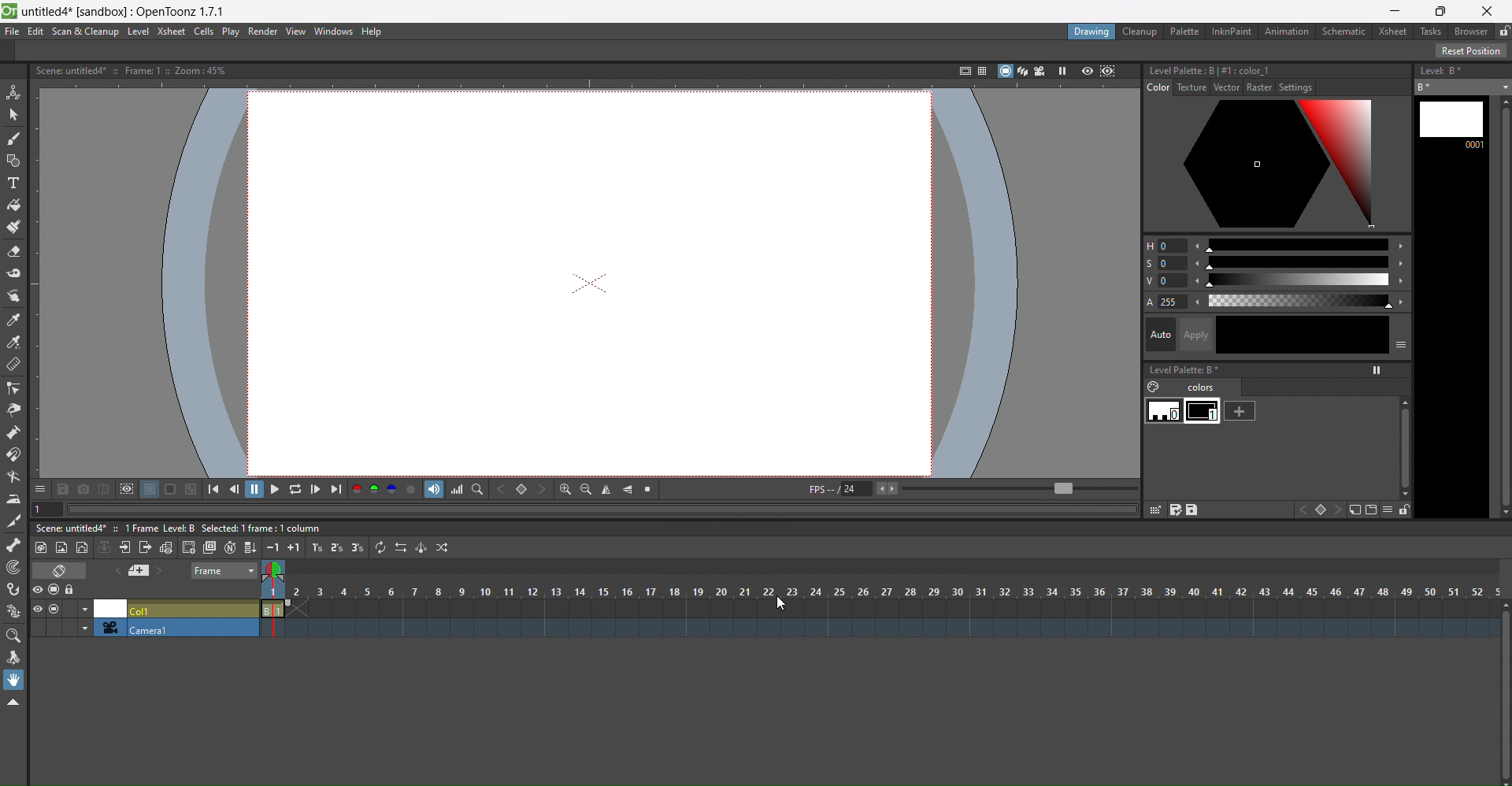  I want to click on A, so click(1148, 302).